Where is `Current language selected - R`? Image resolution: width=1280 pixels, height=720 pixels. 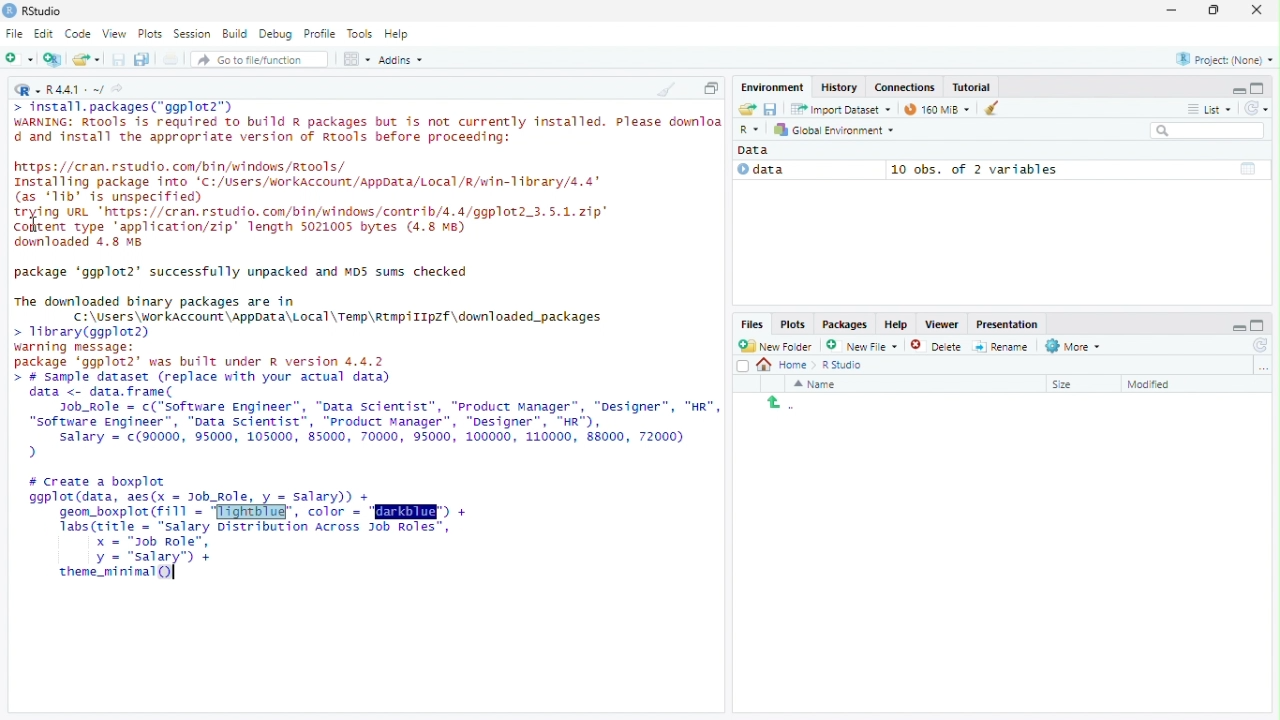 Current language selected - R is located at coordinates (25, 89).